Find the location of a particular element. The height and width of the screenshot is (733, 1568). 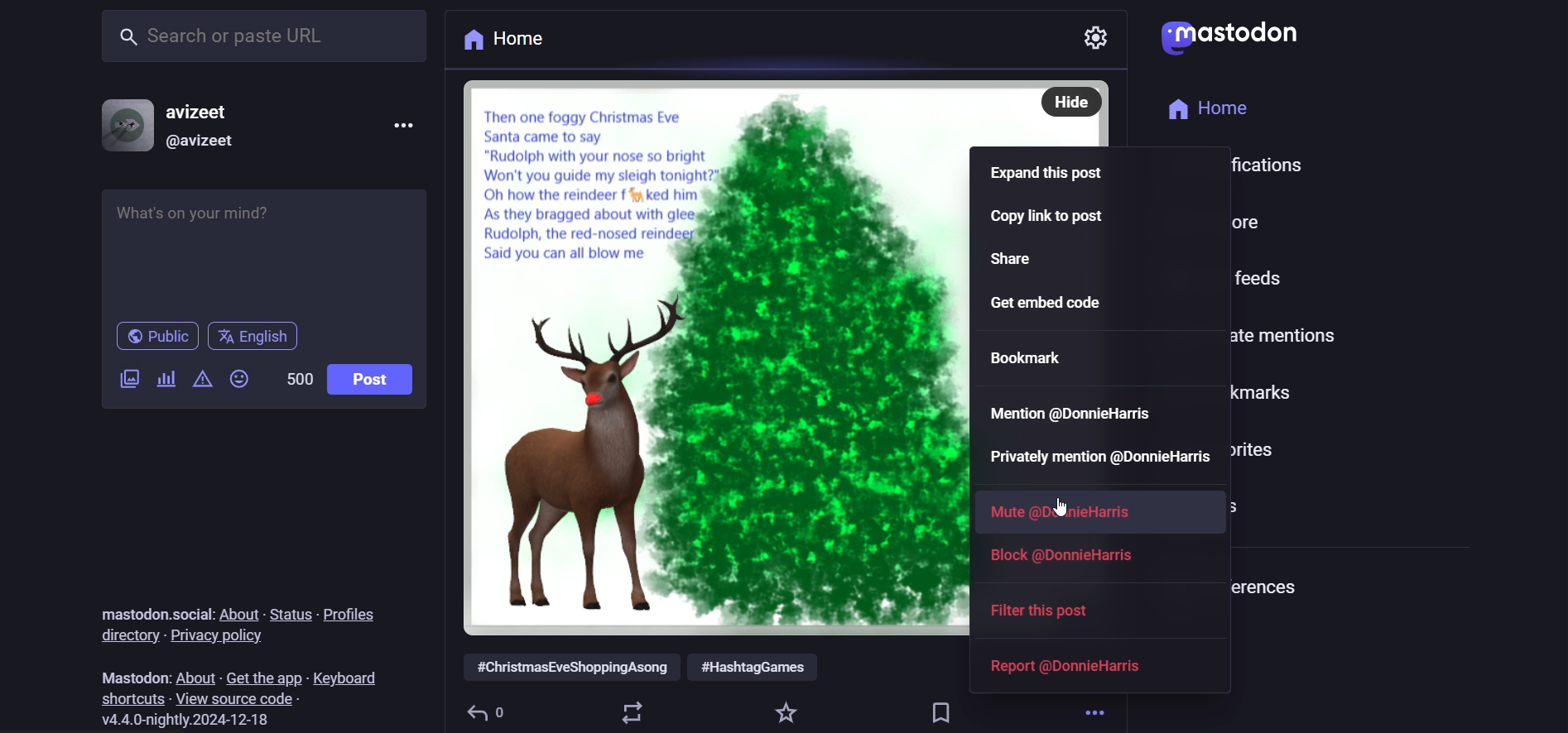

directory is located at coordinates (125, 637).